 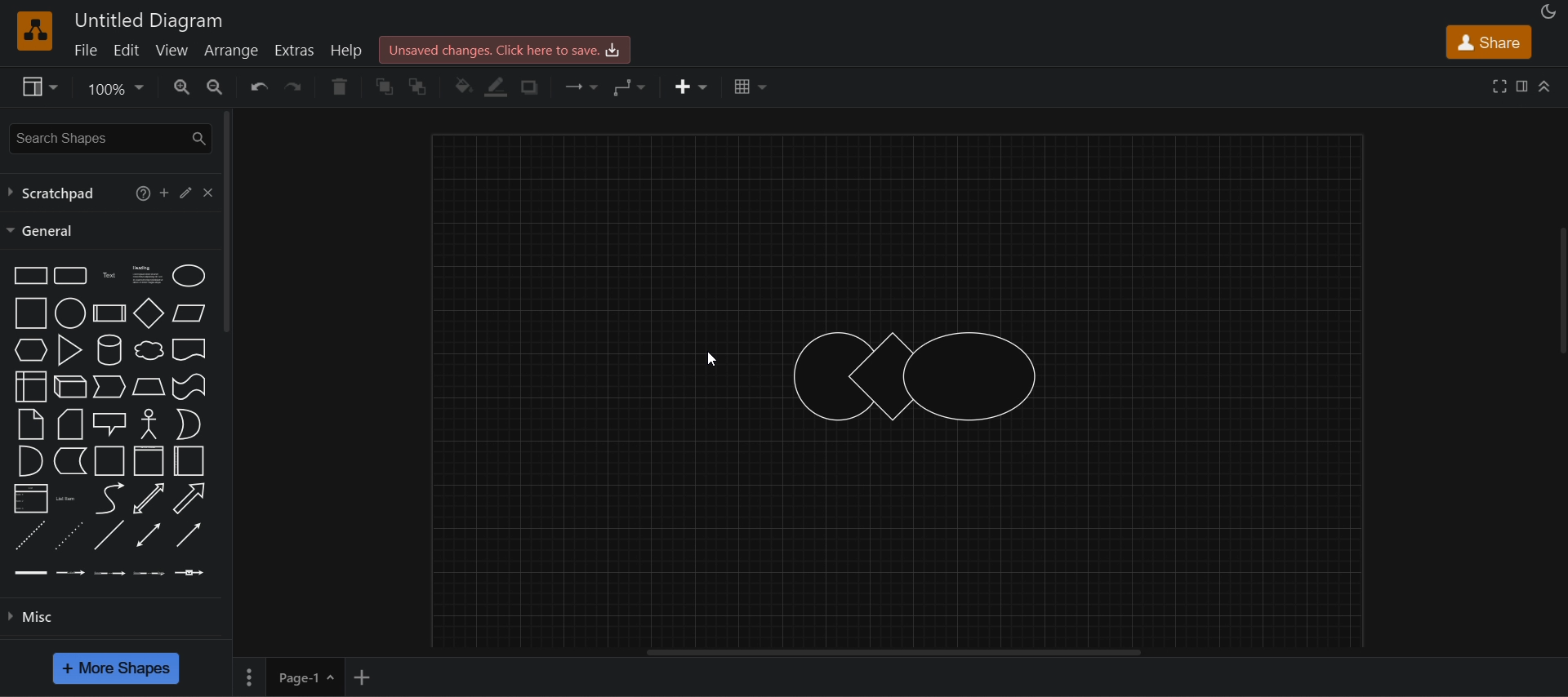 I want to click on tavle, so click(x=751, y=87).